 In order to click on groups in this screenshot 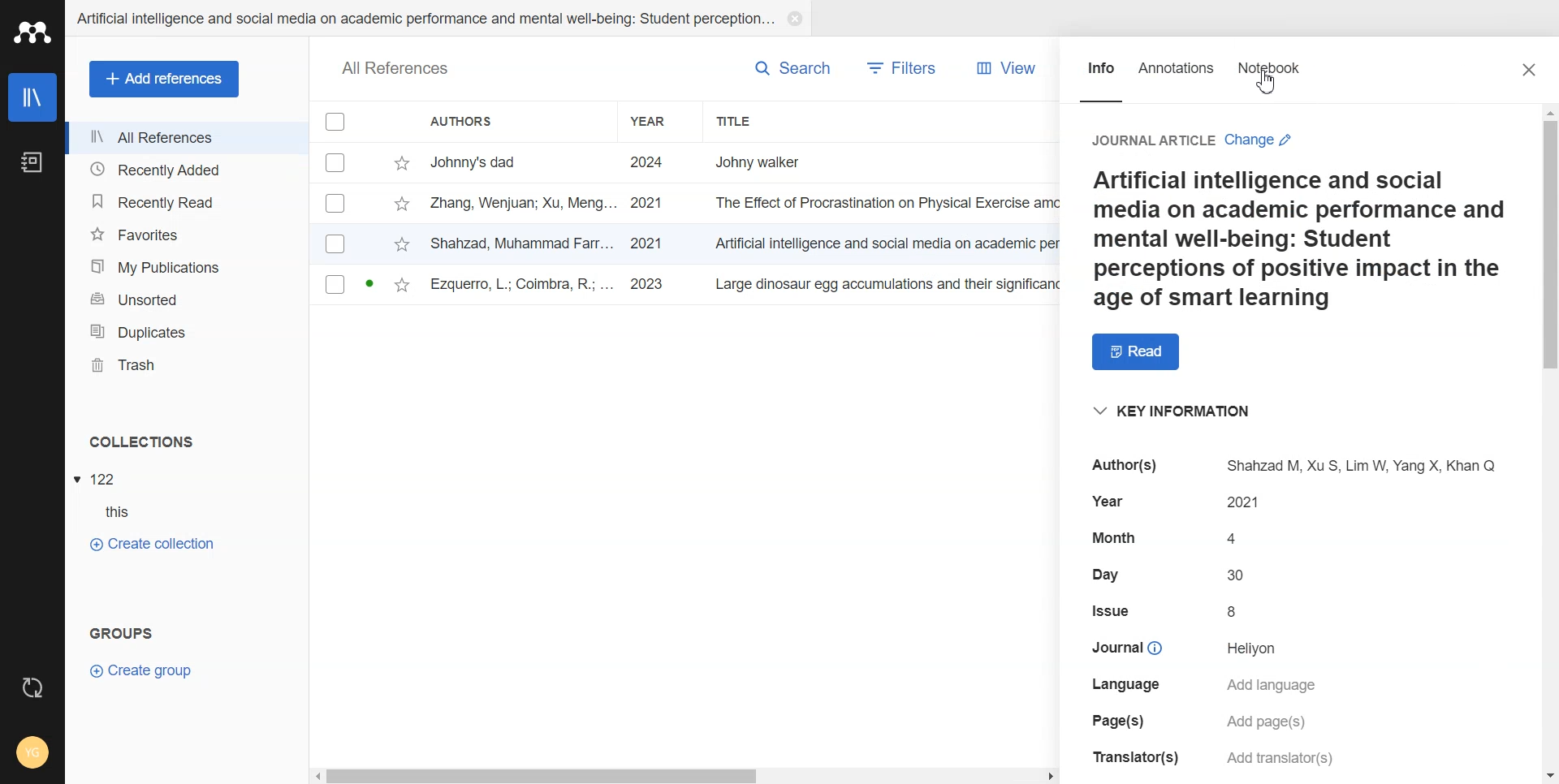, I will do `click(123, 631)`.